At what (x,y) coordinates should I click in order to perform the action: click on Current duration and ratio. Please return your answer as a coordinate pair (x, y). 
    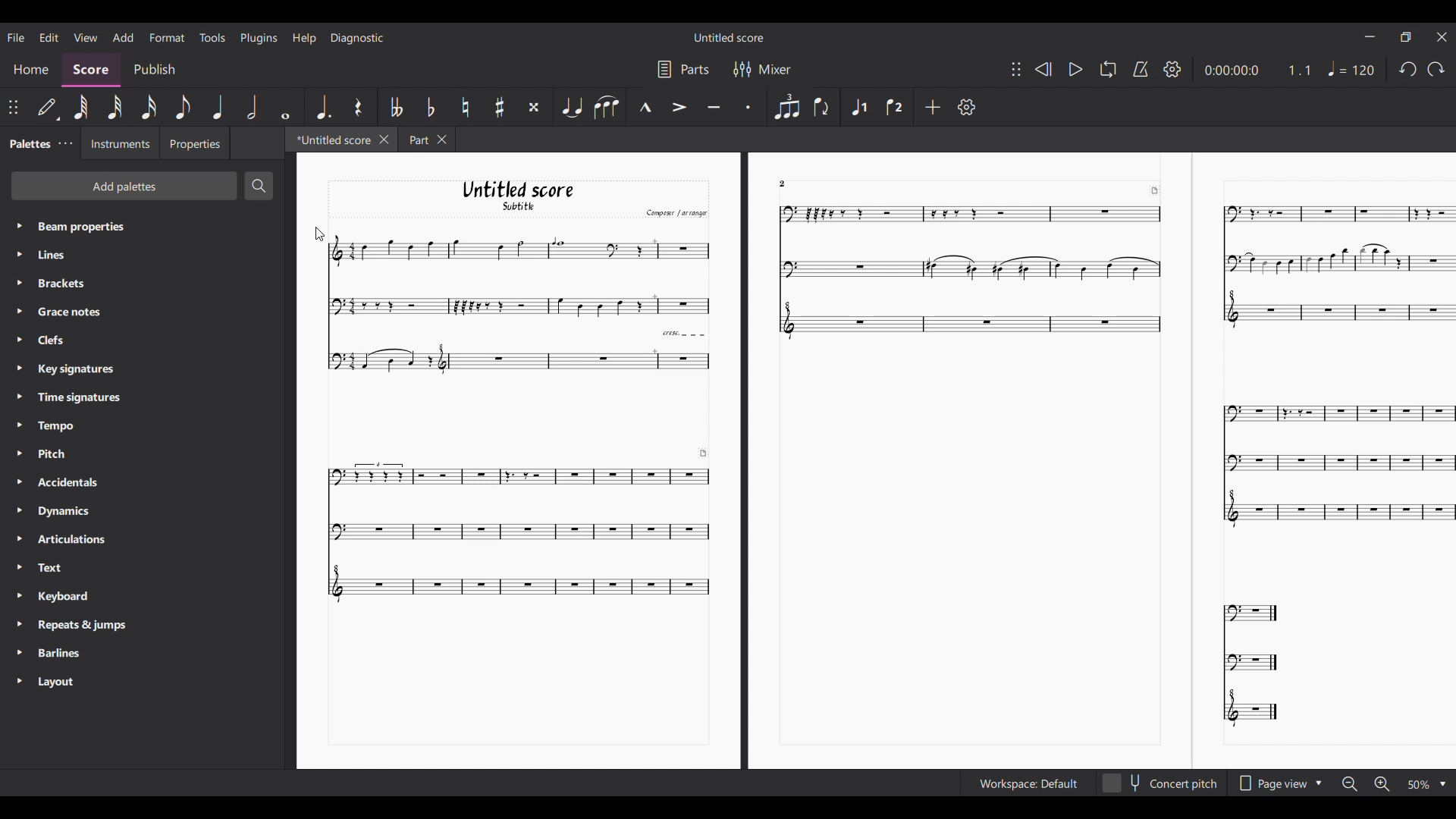
    Looking at the image, I should click on (1258, 70).